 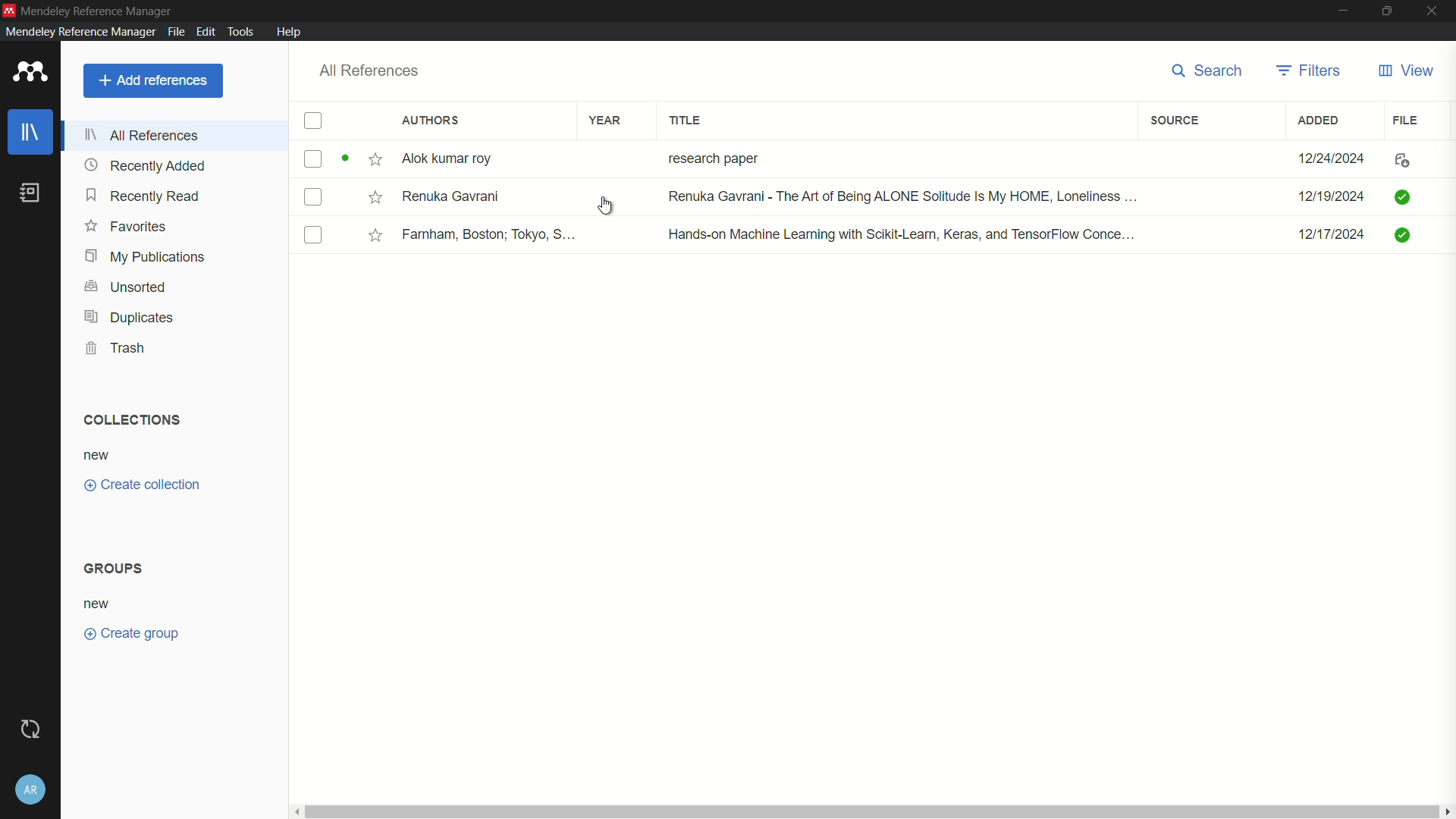 I want to click on create collection, so click(x=142, y=485).